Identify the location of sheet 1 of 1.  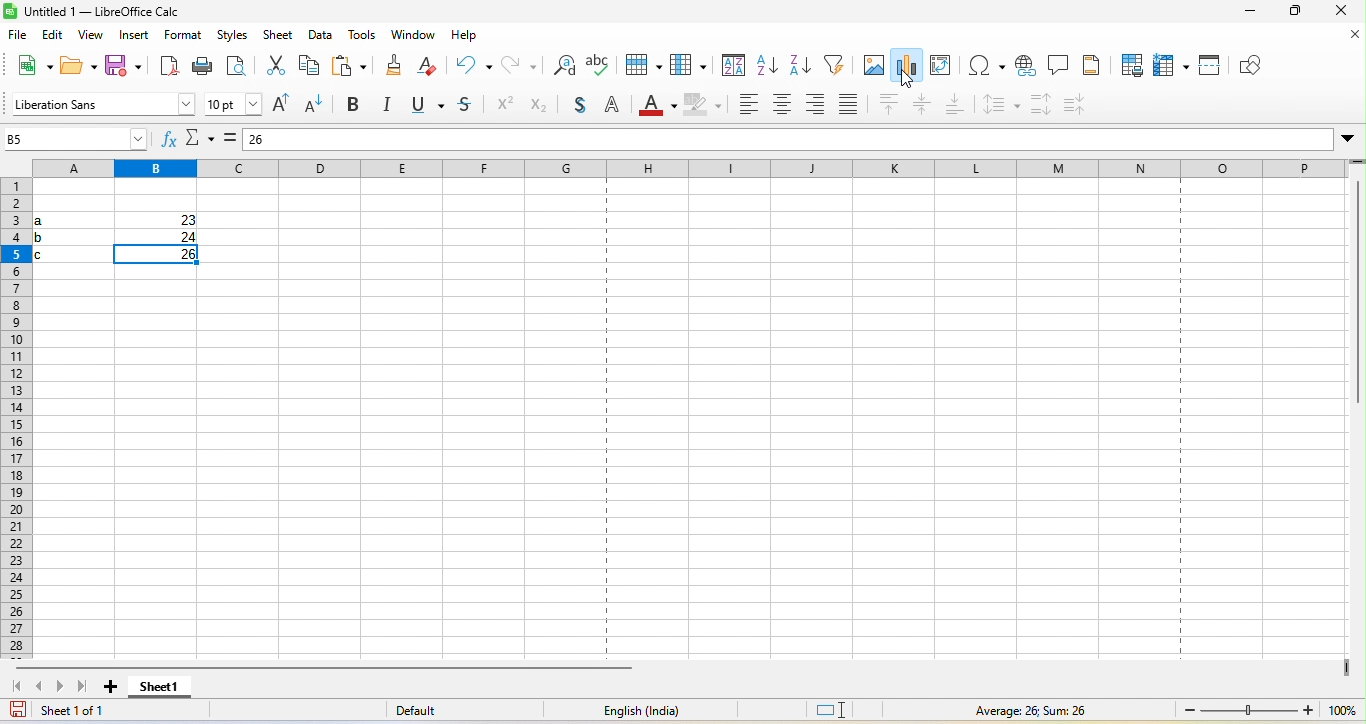
(94, 712).